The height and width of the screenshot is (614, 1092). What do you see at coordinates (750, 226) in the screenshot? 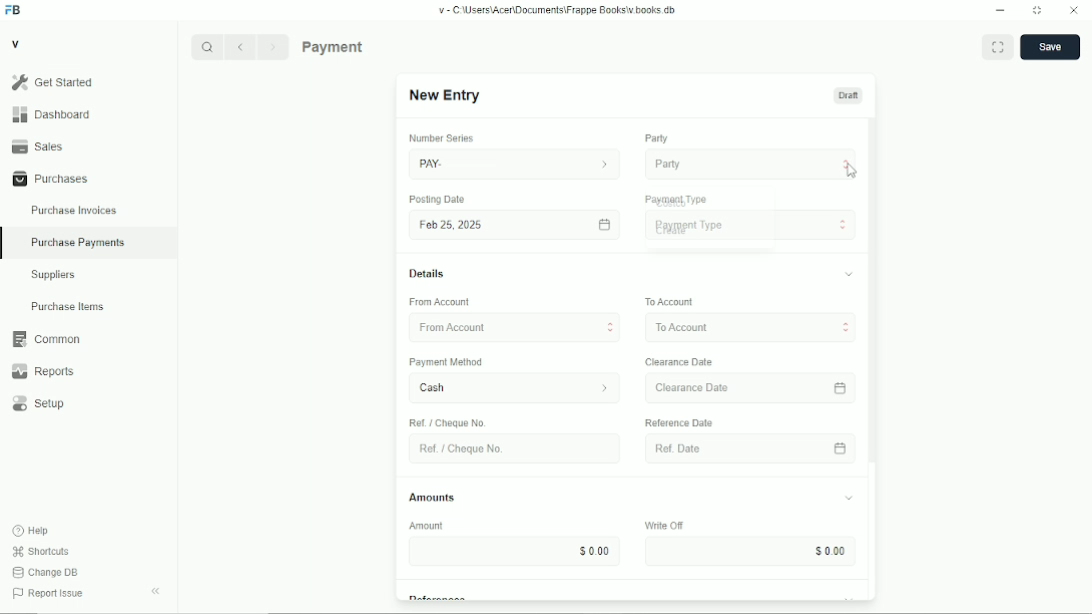
I see `Payment Type` at bounding box center [750, 226].